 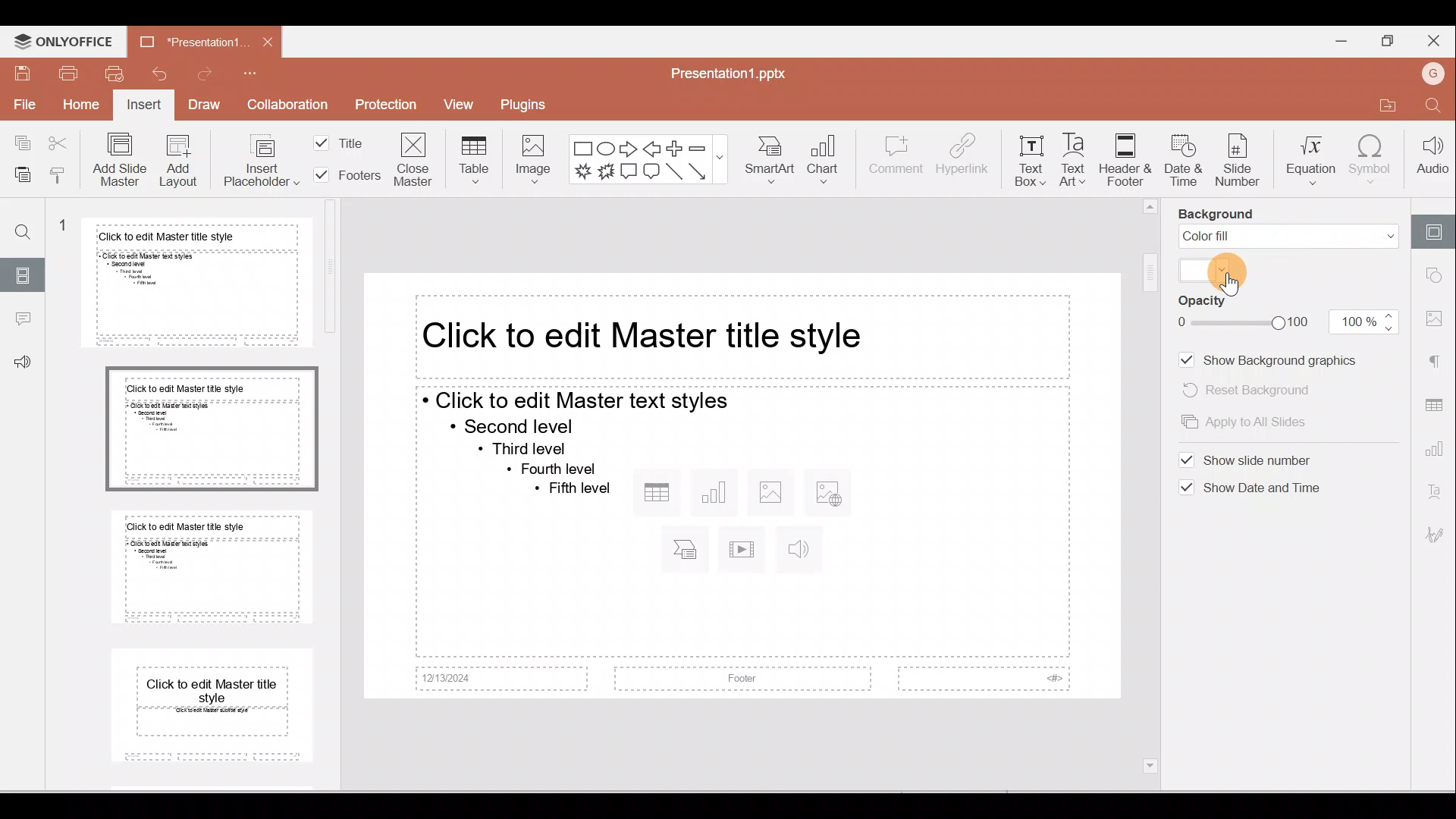 I want to click on File, so click(x=23, y=106).